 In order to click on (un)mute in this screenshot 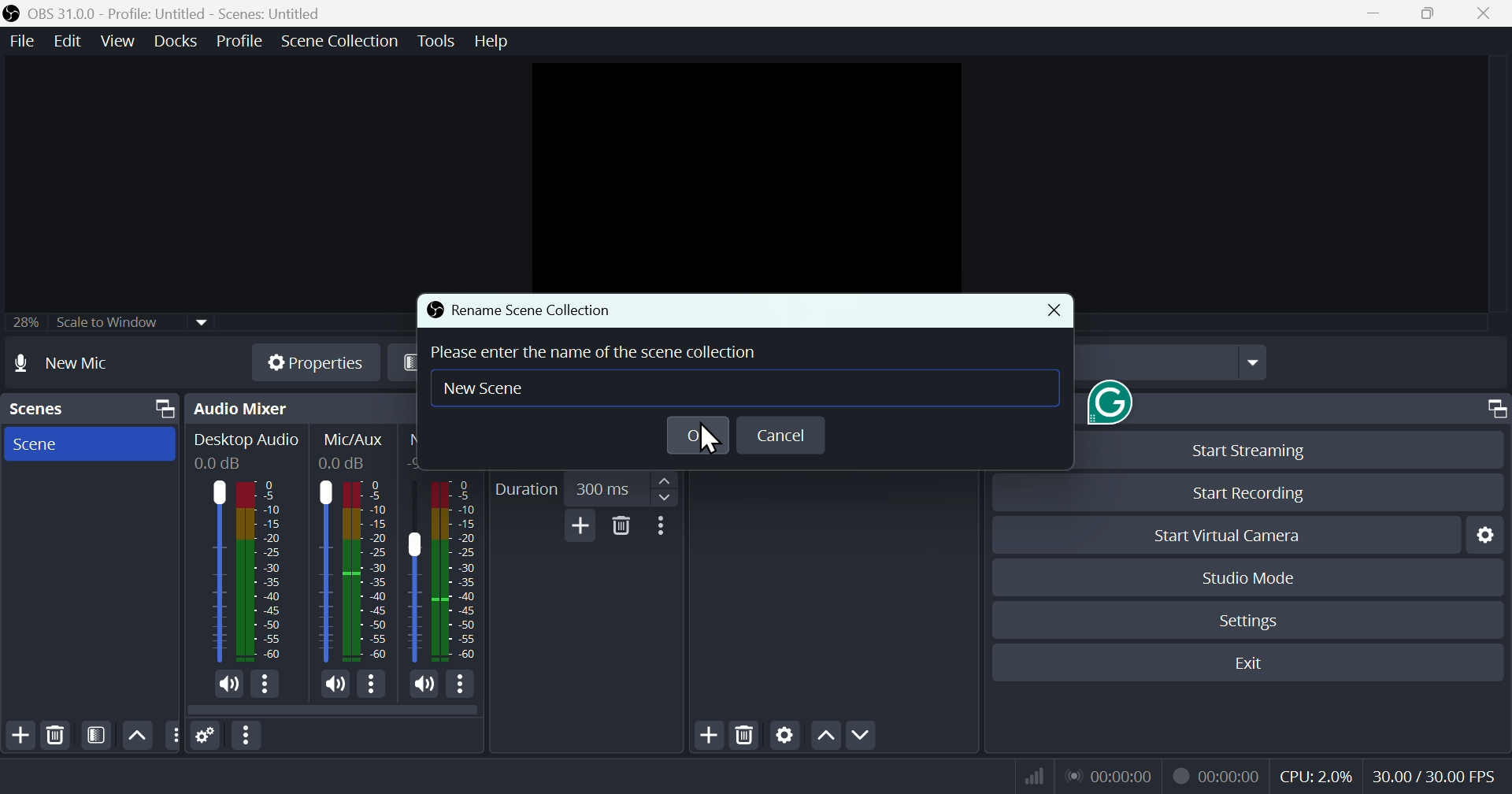, I will do `click(334, 684)`.